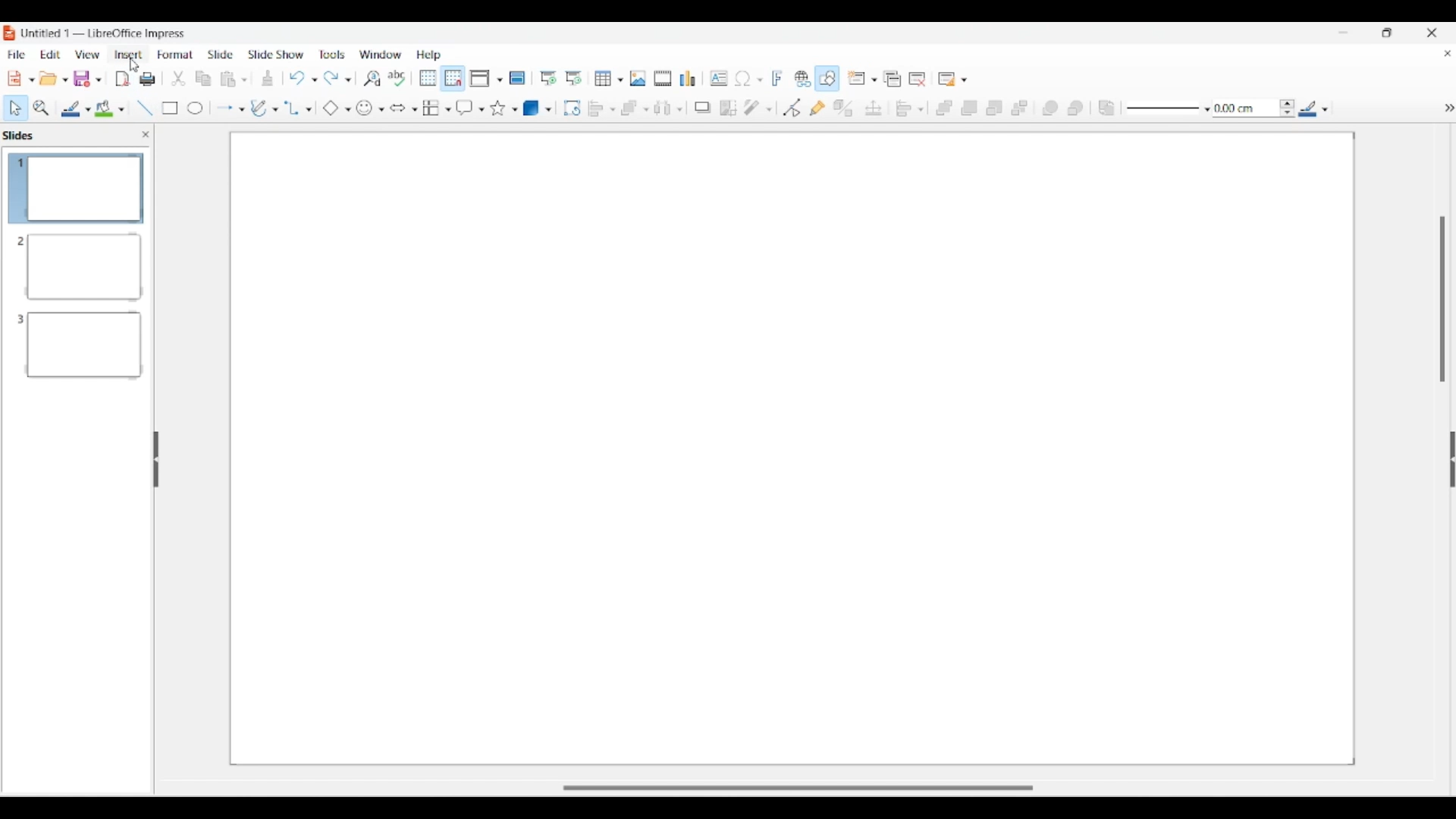  Describe the element at coordinates (298, 108) in the screenshot. I see `Connector options` at that location.